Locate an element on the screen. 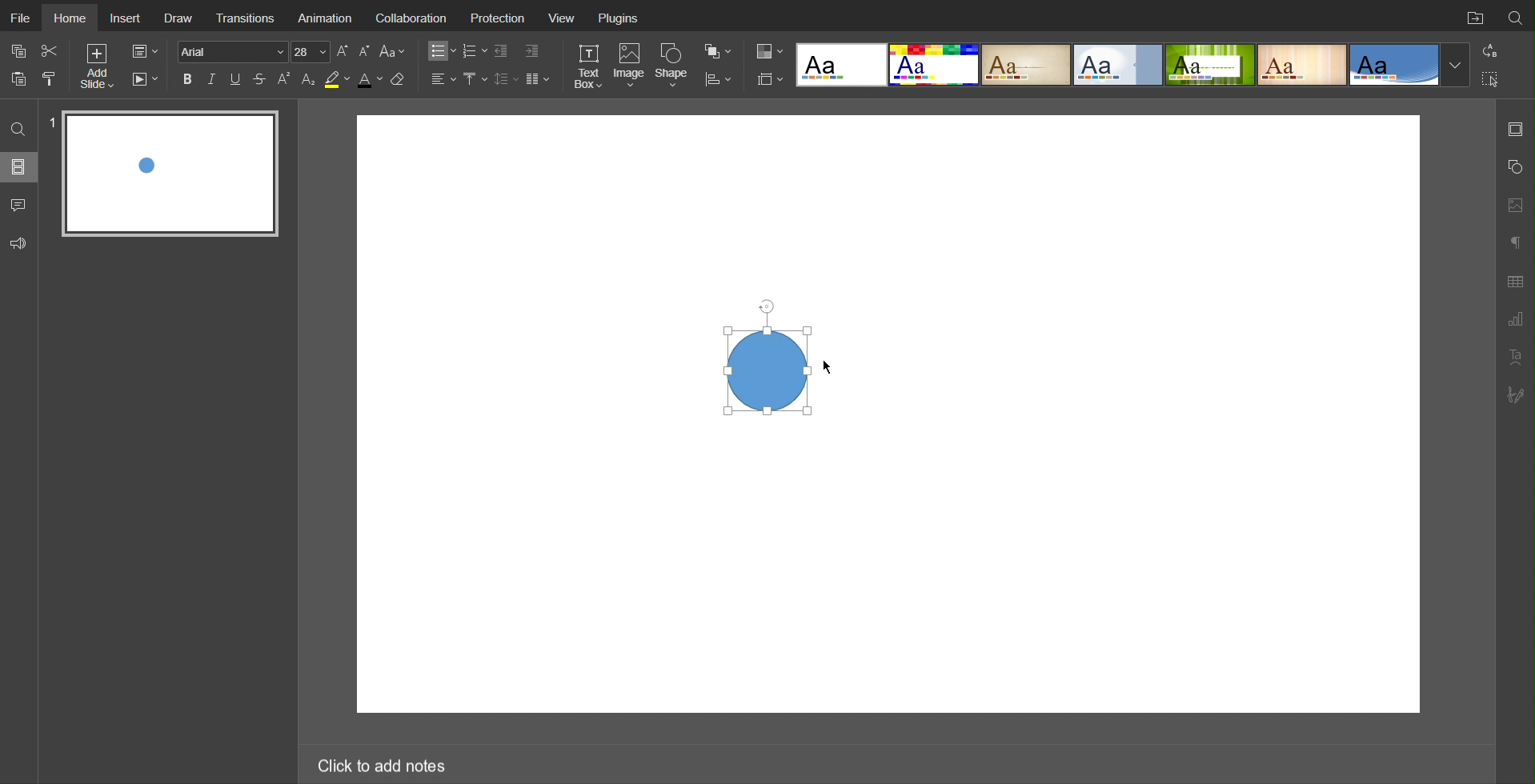 This screenshot has height=784, width=1535. Open File Location is located at coordinates (1472, 16).